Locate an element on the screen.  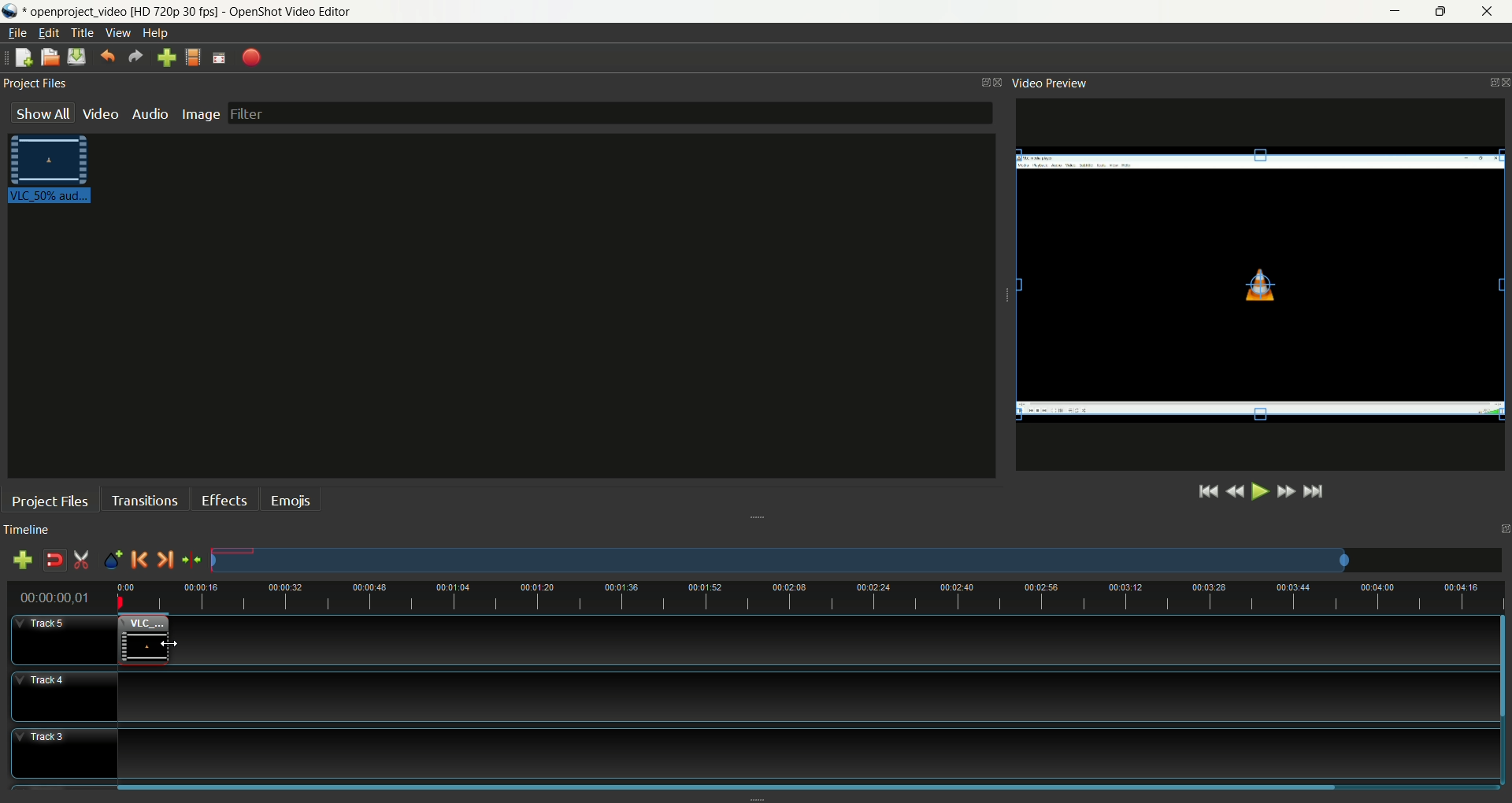
image is located at coordinates (202, 115).